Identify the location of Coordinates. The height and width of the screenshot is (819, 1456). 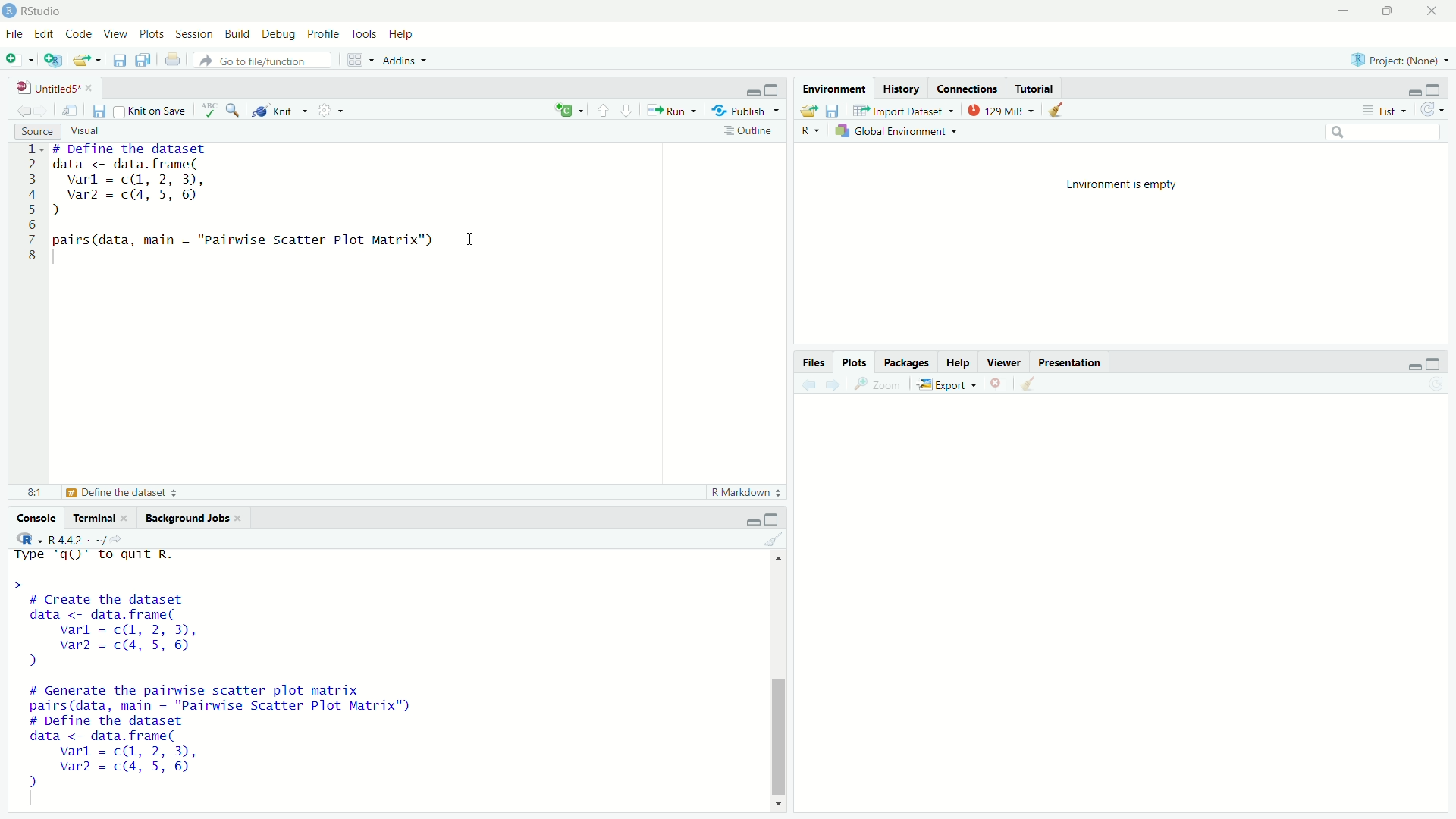
(968, 88).